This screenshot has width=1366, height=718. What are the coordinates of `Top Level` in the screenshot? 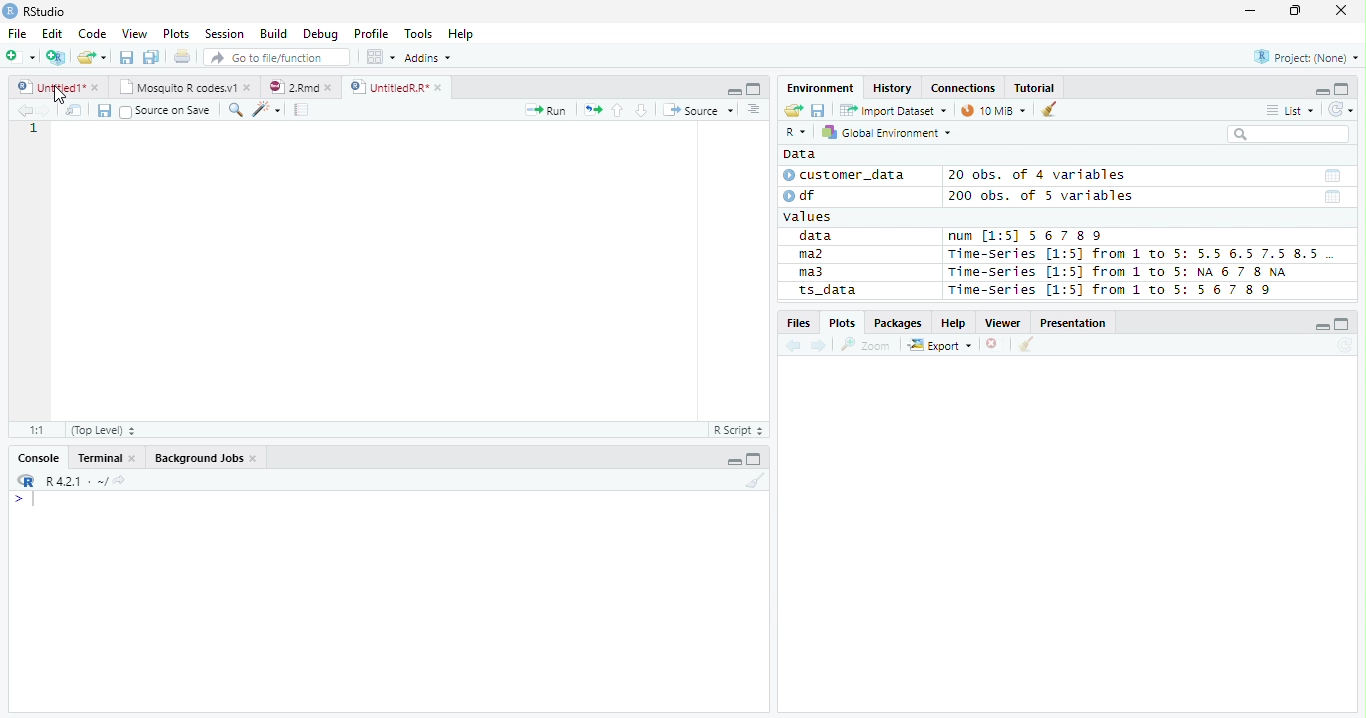 It's located at (101, 431).